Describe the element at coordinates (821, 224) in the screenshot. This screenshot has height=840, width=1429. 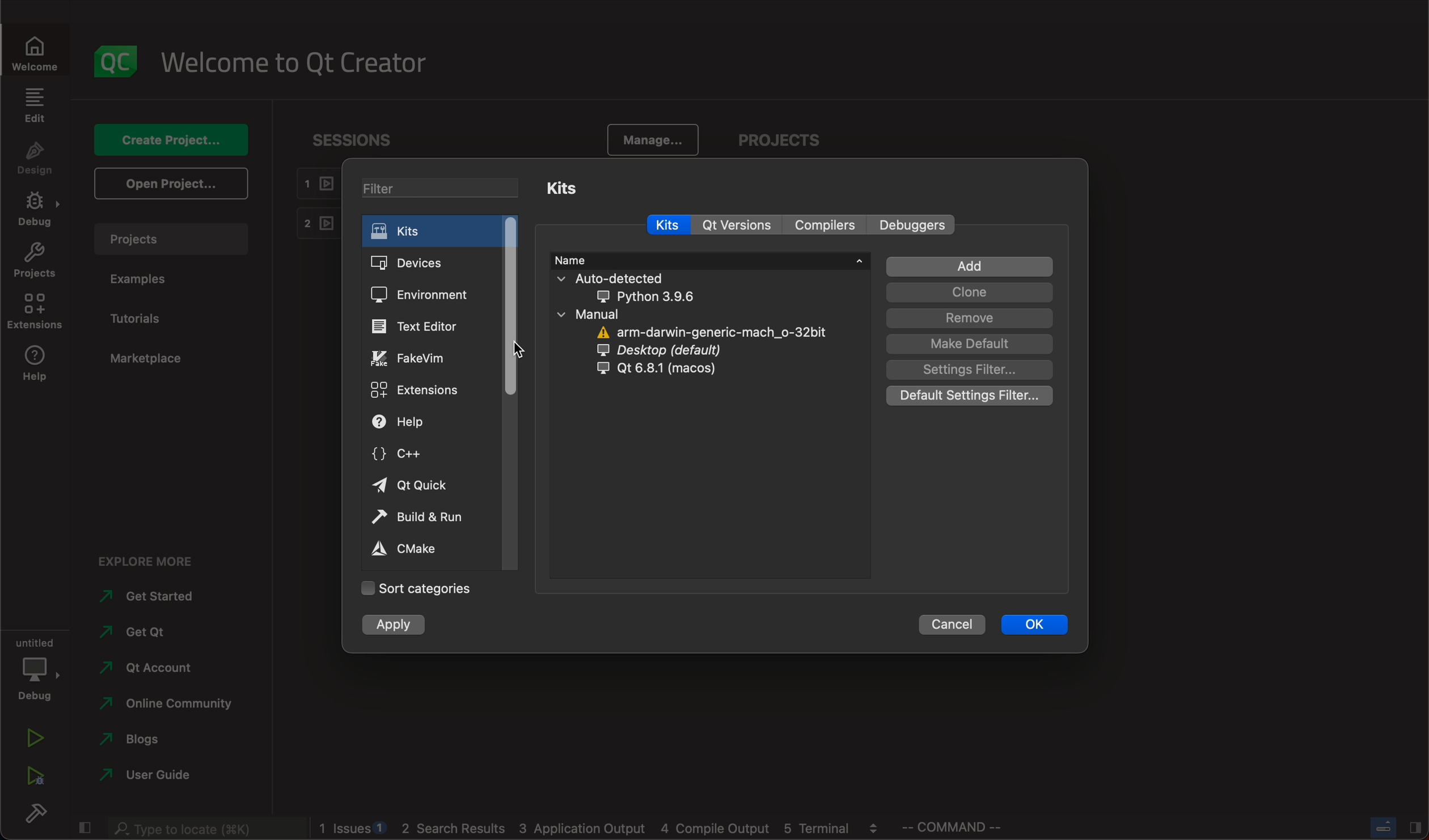
I see `compilers` at that location.